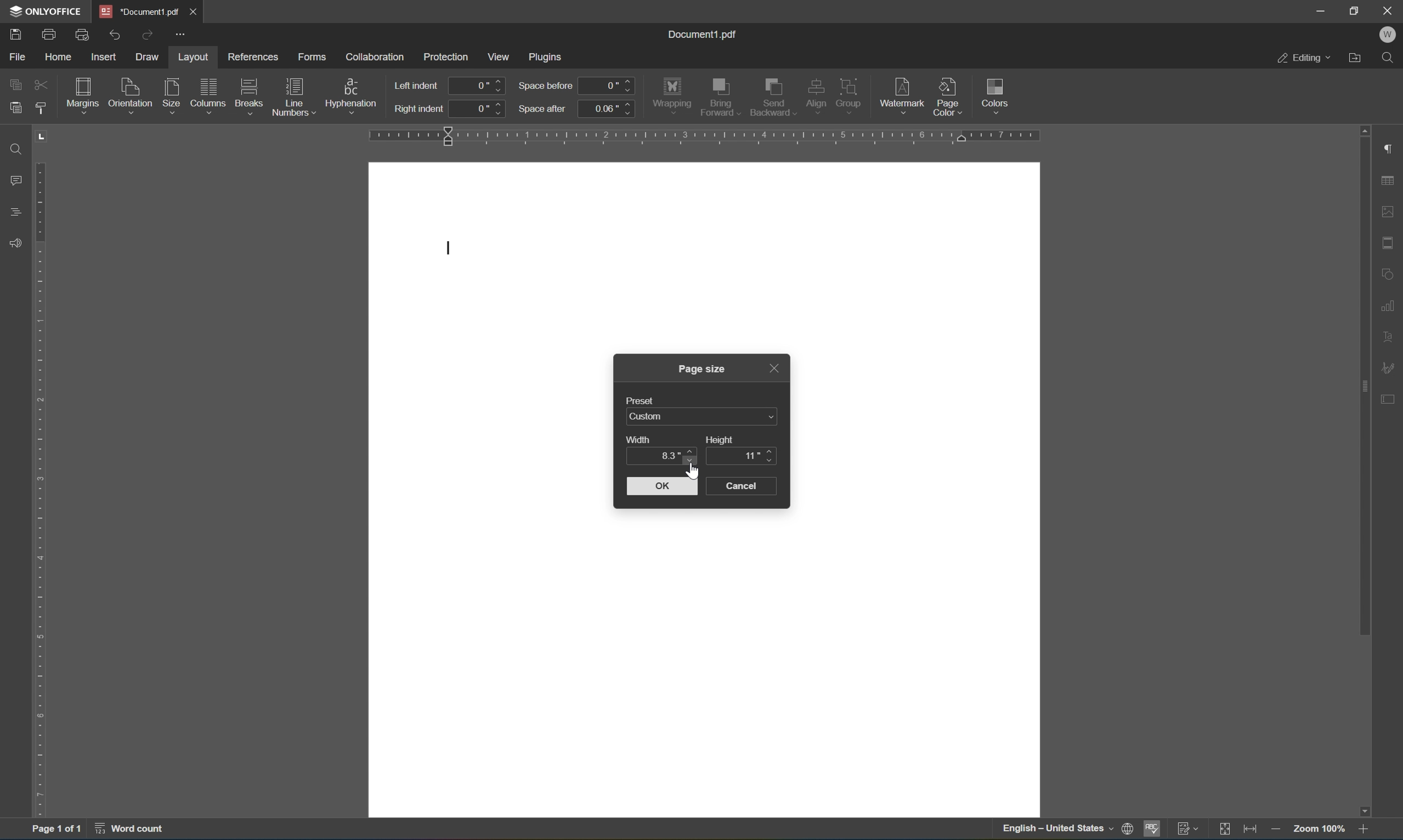  Describe the element at coordinates (150, 33) in the screenshot. I see `redo` at that location.